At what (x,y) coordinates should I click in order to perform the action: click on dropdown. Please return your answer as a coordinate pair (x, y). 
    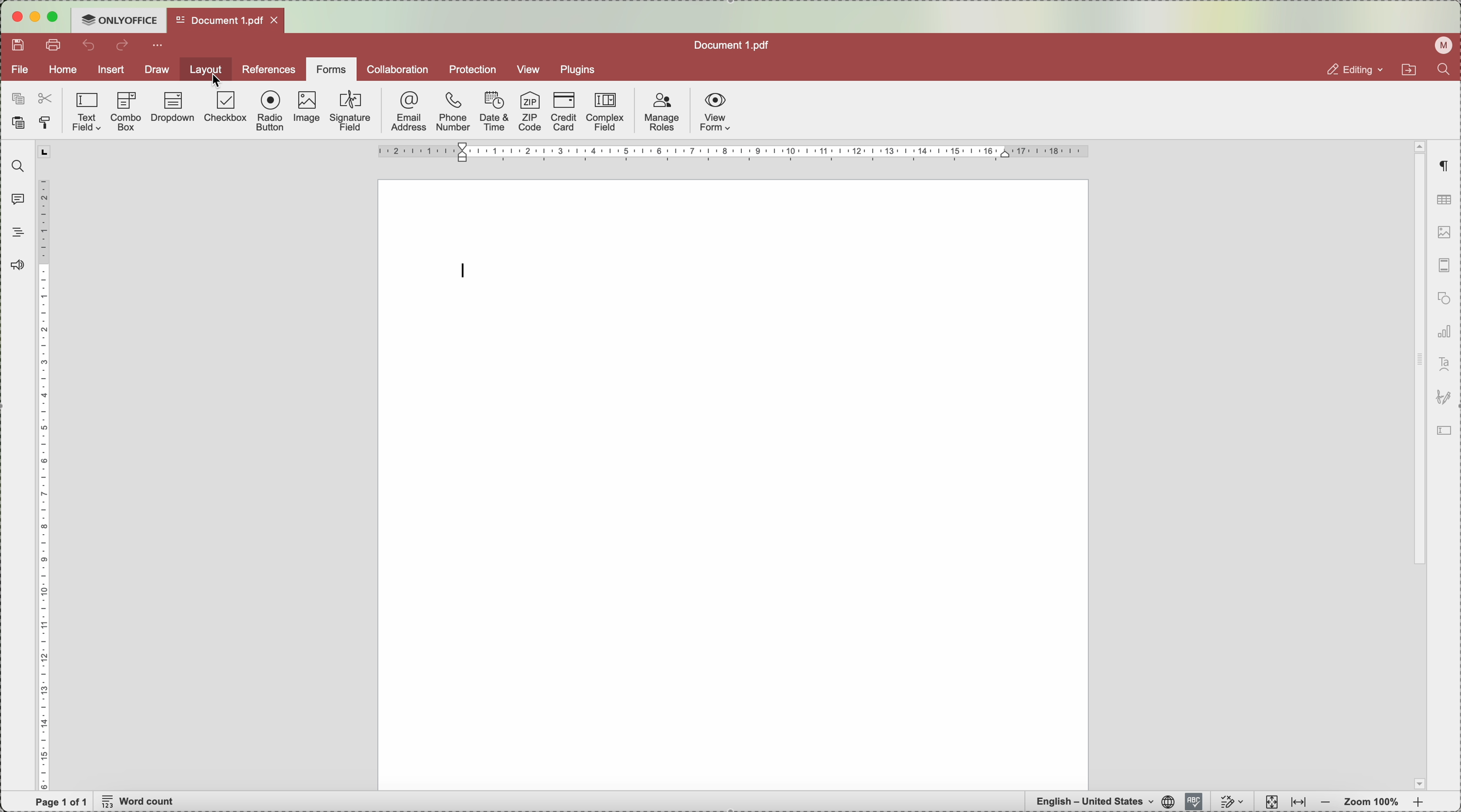
    Looking at the image, I should click on (172, 109).